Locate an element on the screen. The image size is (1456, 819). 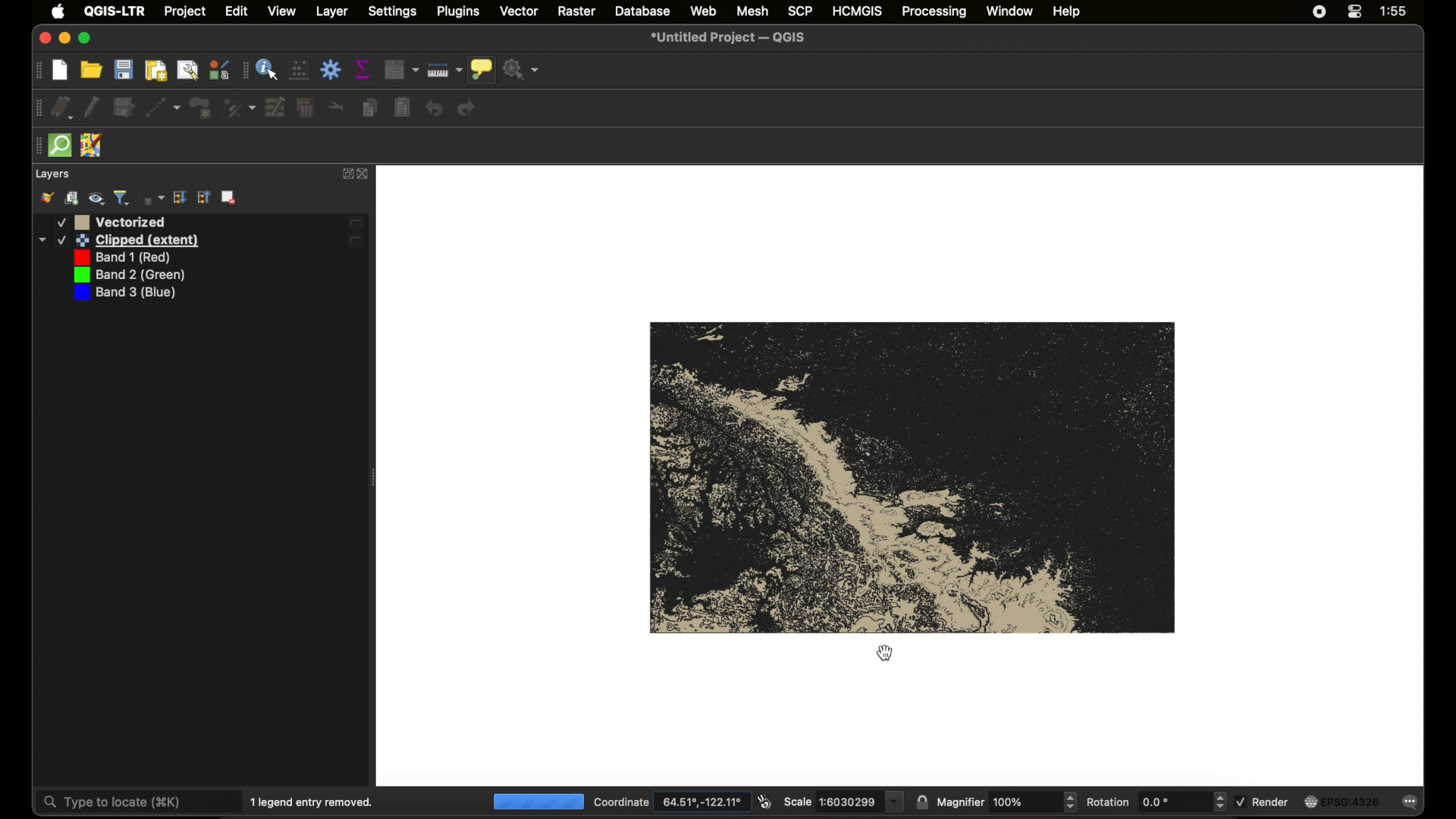
band 2 is located at coordinates (127, 258).